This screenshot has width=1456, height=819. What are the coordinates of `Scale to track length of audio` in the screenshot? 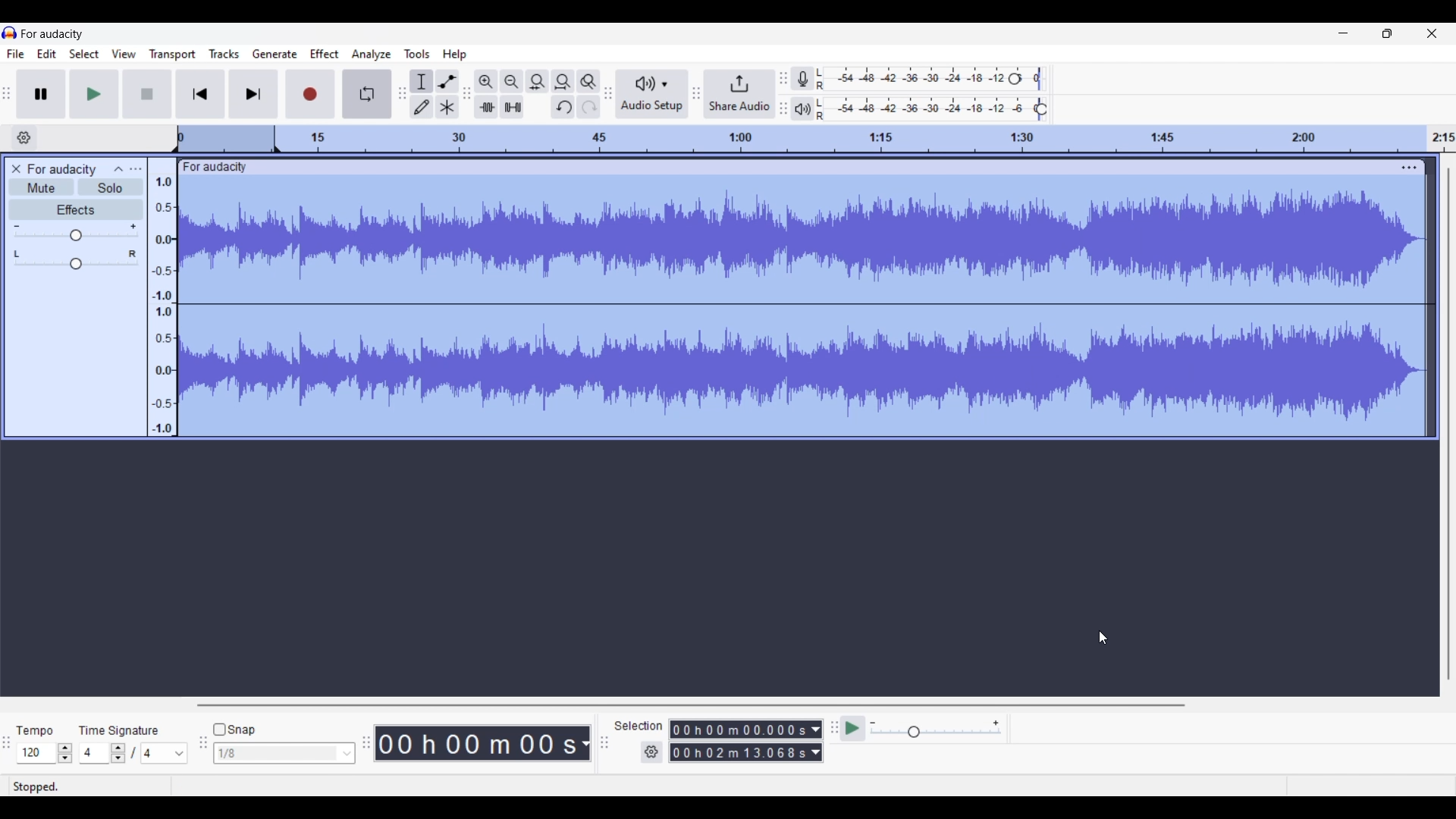 It's located at (870, 139).